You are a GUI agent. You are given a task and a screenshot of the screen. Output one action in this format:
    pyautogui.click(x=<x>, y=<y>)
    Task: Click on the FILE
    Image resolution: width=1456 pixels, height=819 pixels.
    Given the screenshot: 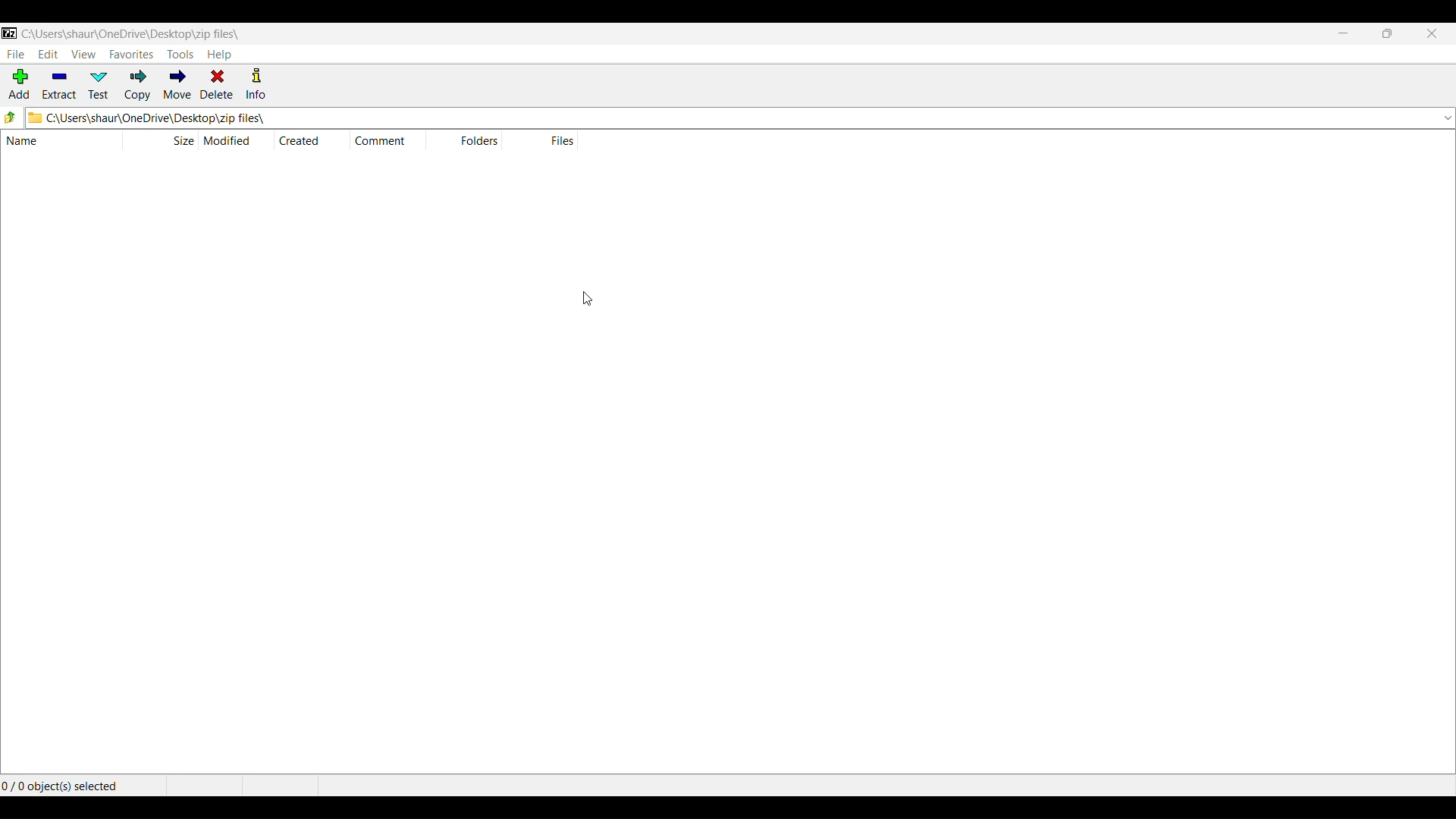 What is the action you would take?
    pyautogui.click(x=14, y=54)
    